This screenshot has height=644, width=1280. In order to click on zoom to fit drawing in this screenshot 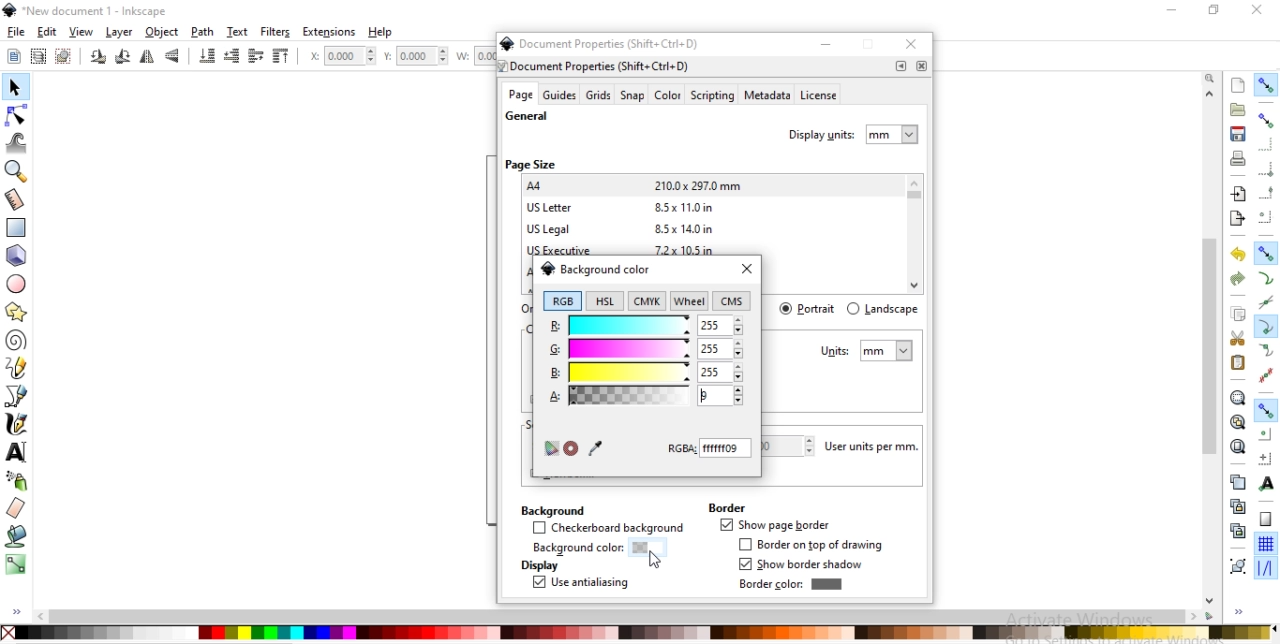, I will do `click(1237, 423)`.